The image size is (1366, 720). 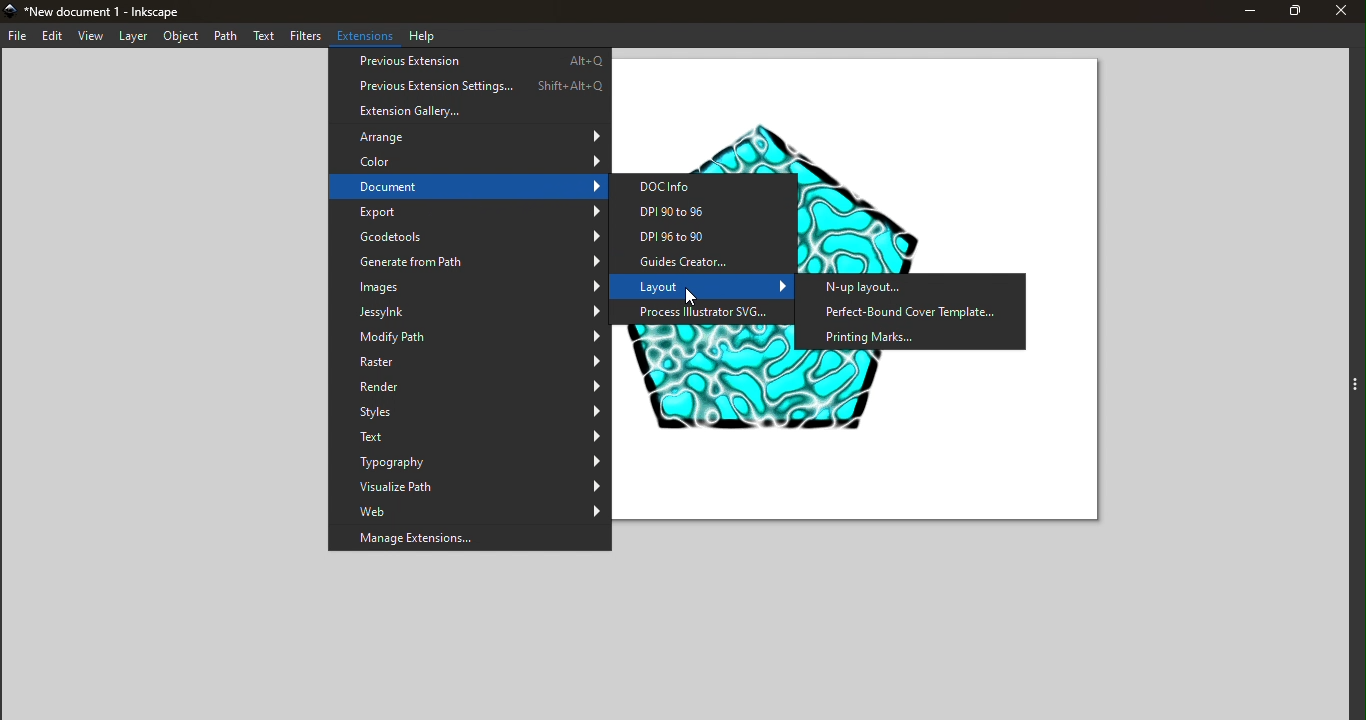 I want to click on Text, so click(x=470, y=437).